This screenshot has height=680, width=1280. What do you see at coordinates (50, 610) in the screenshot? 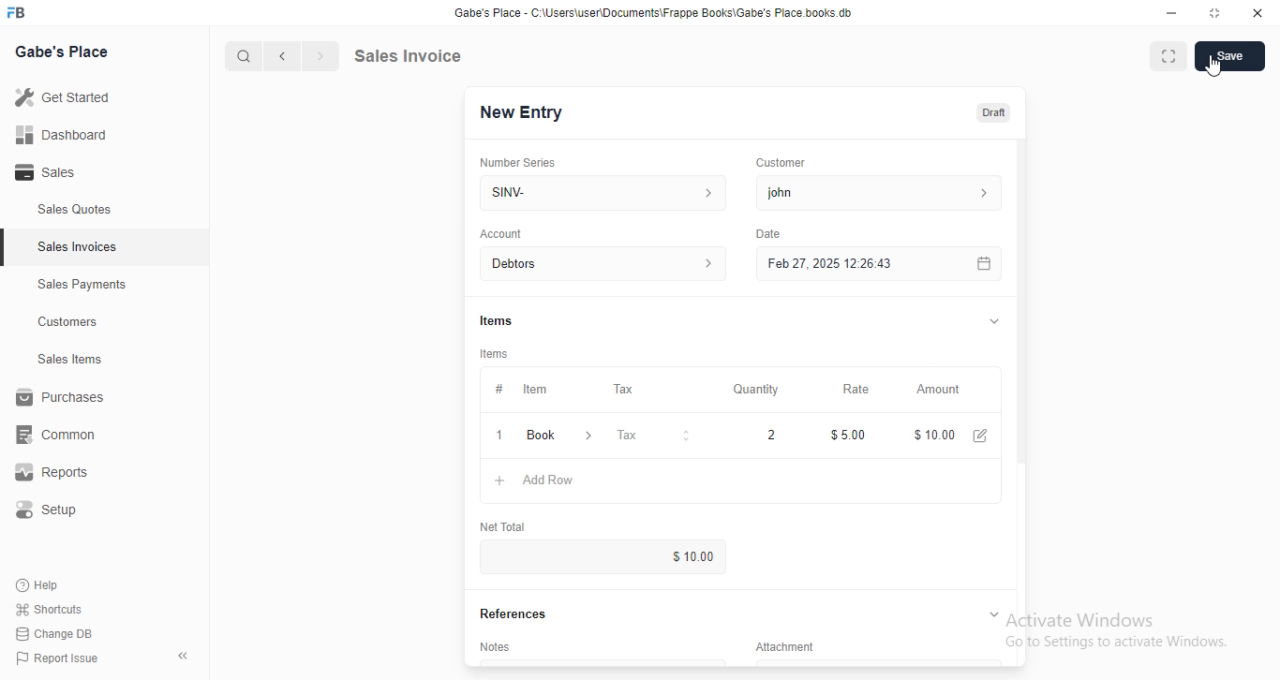
I see `Shortcuts` at bounding box center [50, 610].